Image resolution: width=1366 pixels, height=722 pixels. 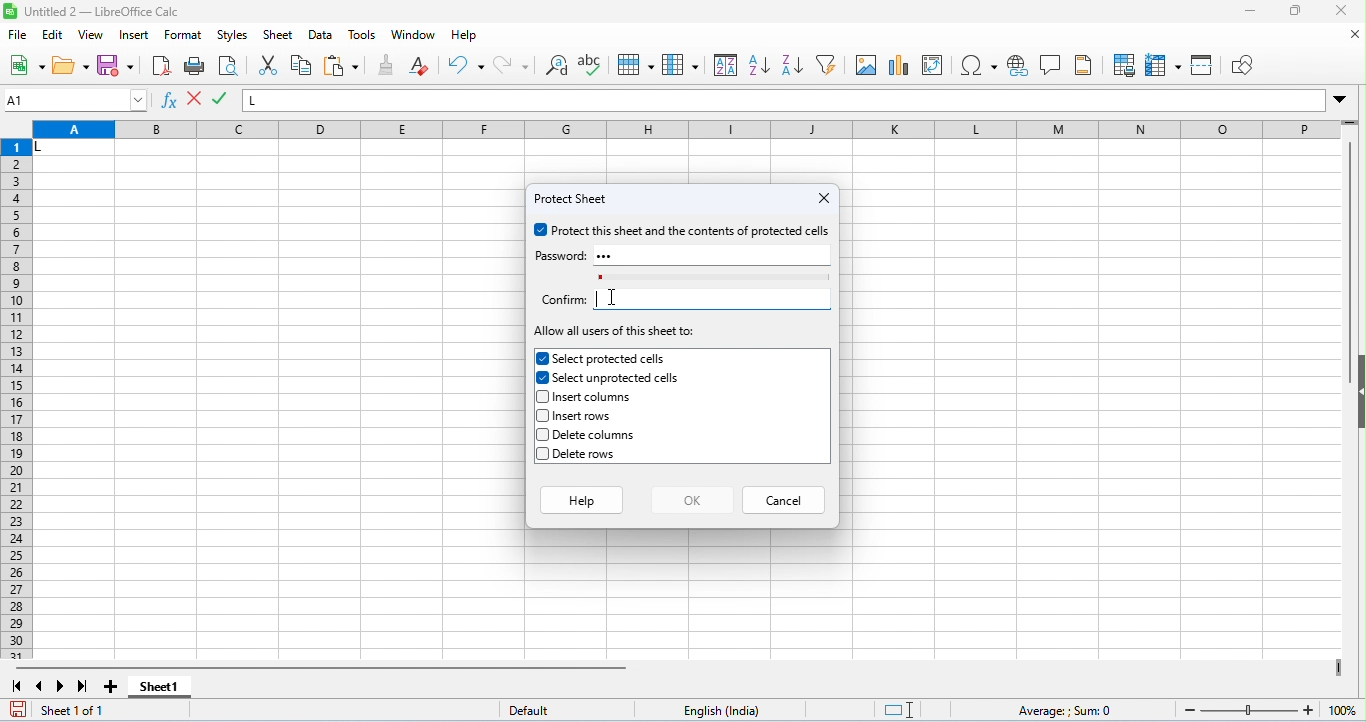 What do you see at coordinates (581, 455) in the screenshot?
I see `delete rows` at bounding box center [581, 455].